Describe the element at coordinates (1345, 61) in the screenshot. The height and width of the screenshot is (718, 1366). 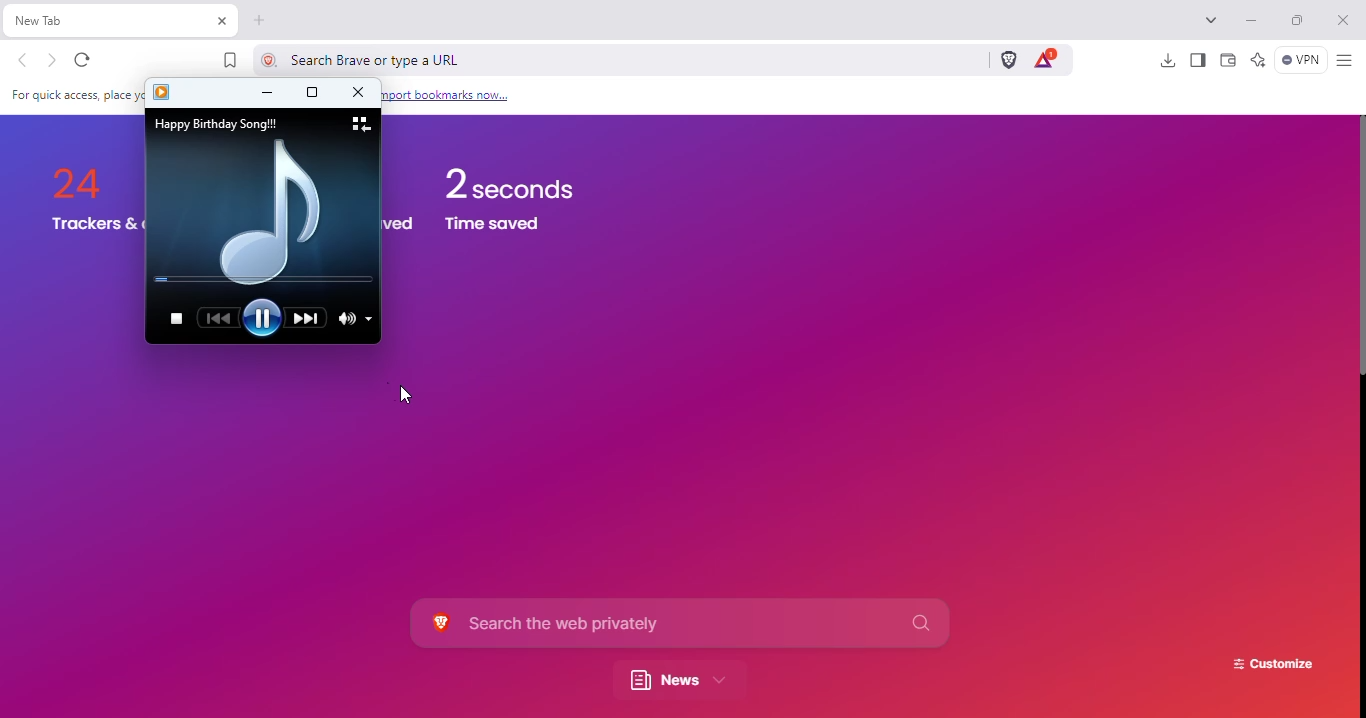
I see `customize and control brave` at that location.